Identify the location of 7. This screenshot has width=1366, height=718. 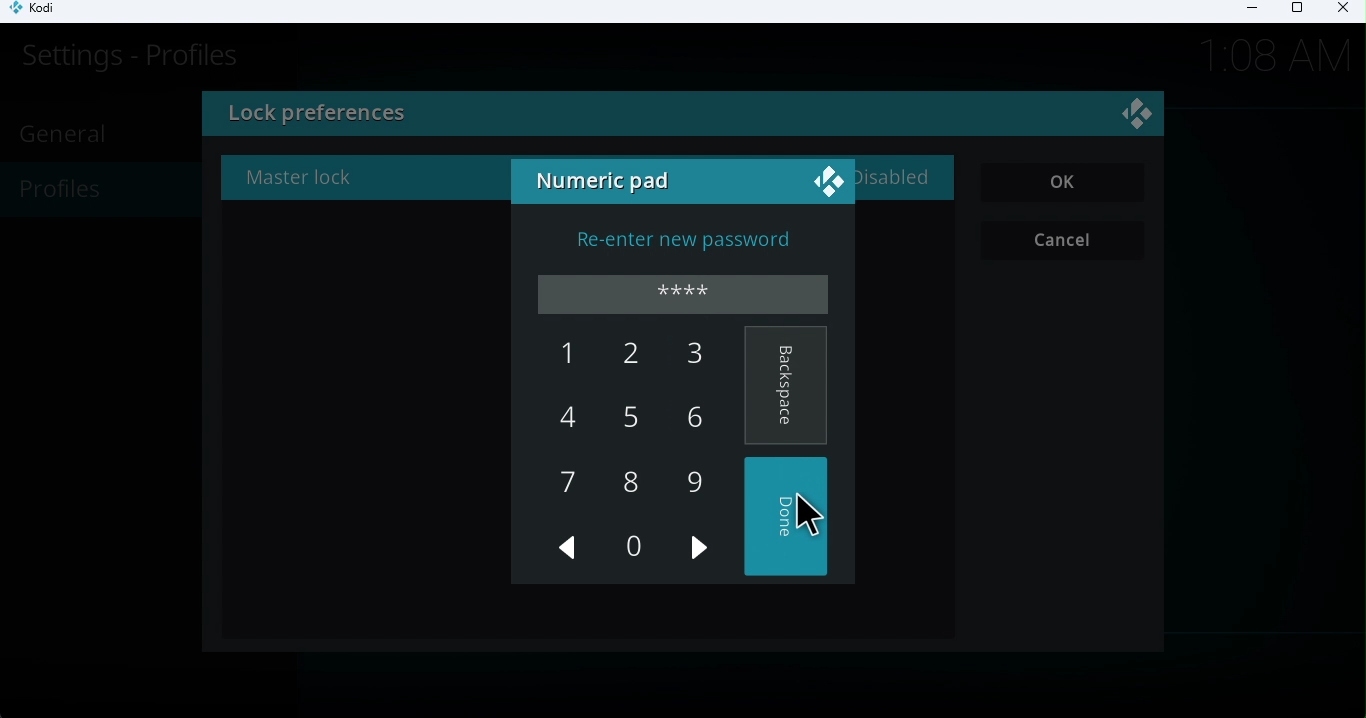
(569, 486).